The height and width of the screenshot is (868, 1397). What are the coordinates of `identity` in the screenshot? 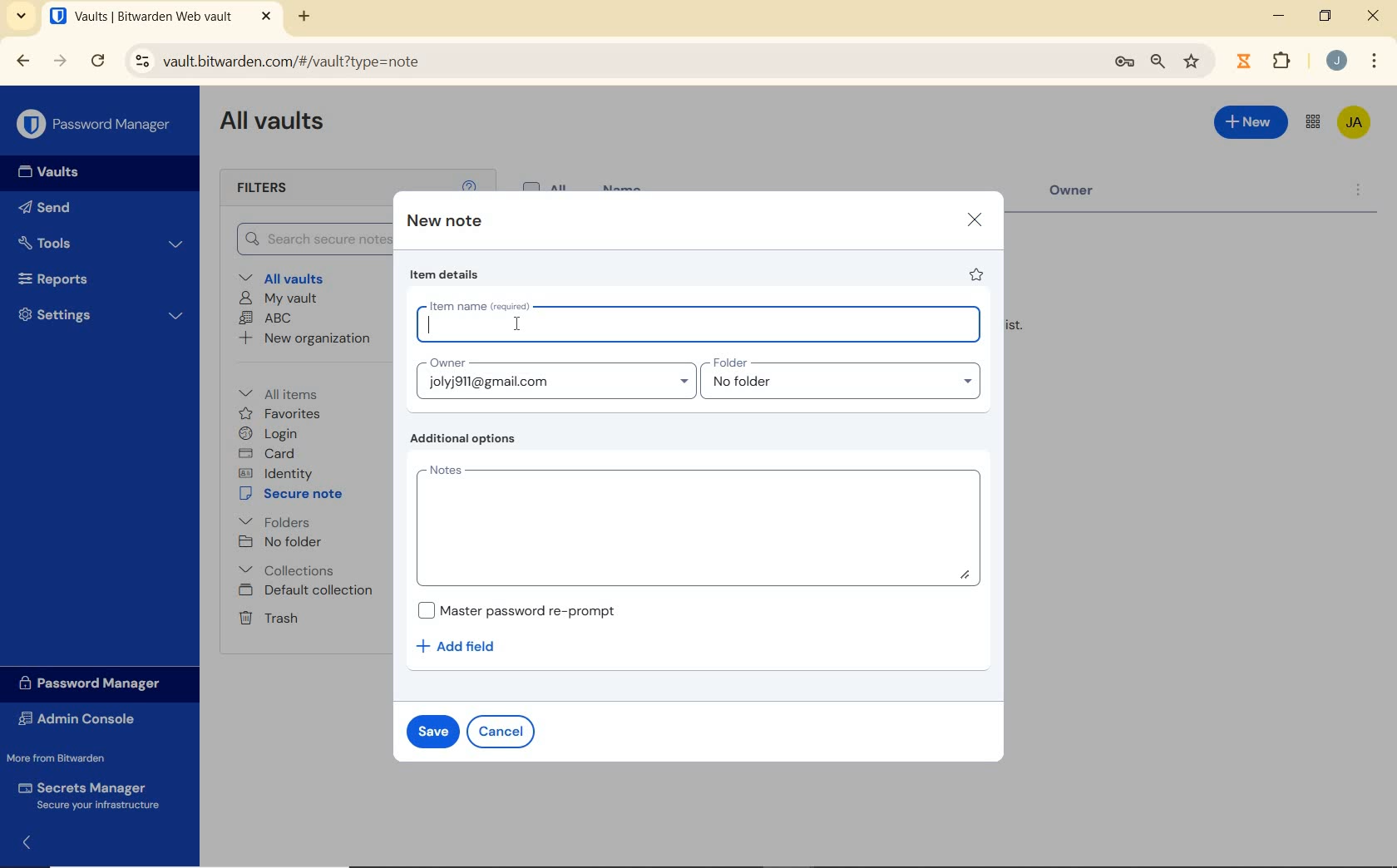 It's located at (275, 472).